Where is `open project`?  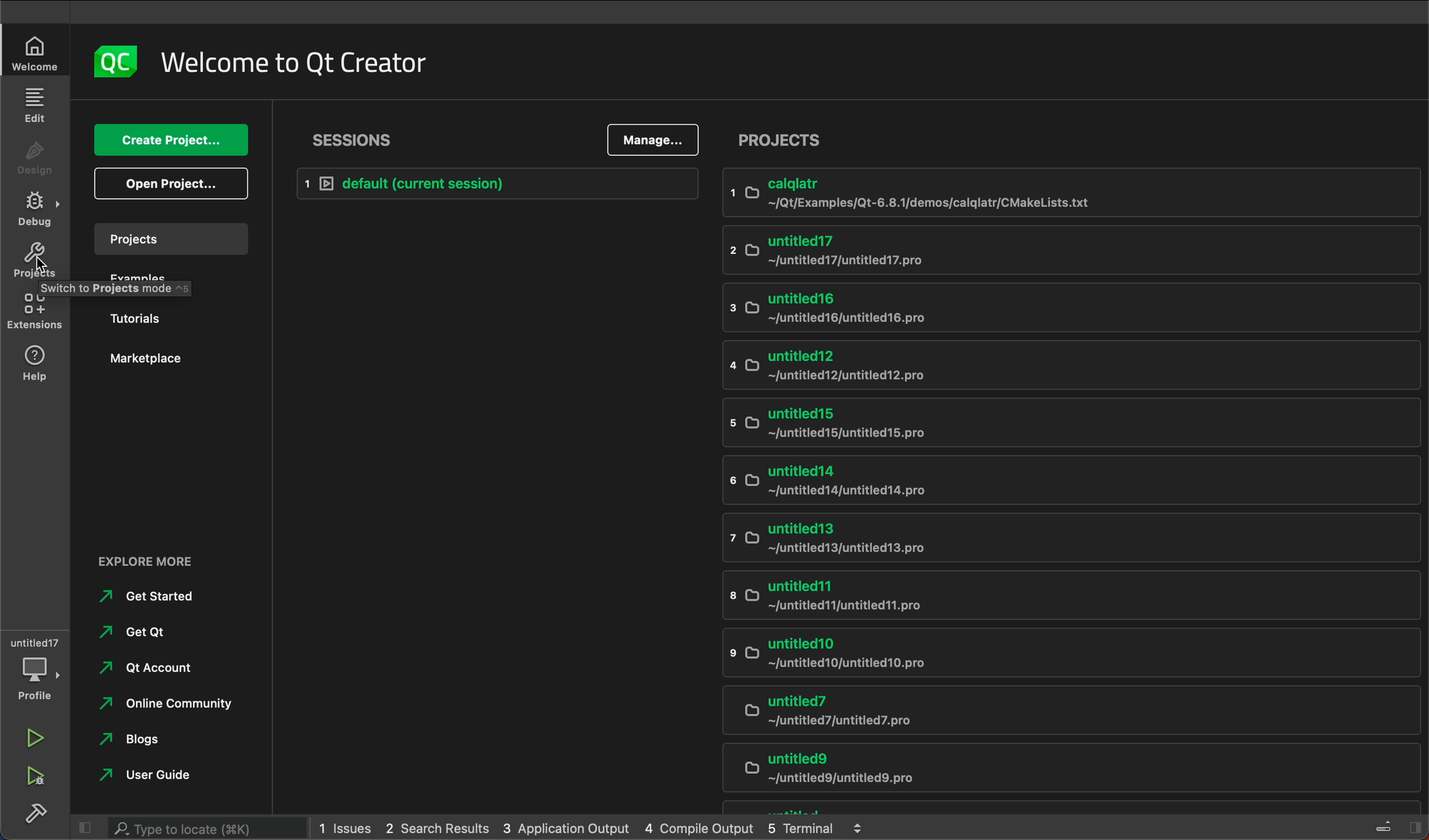
open project is located at coordinates (167, 184).